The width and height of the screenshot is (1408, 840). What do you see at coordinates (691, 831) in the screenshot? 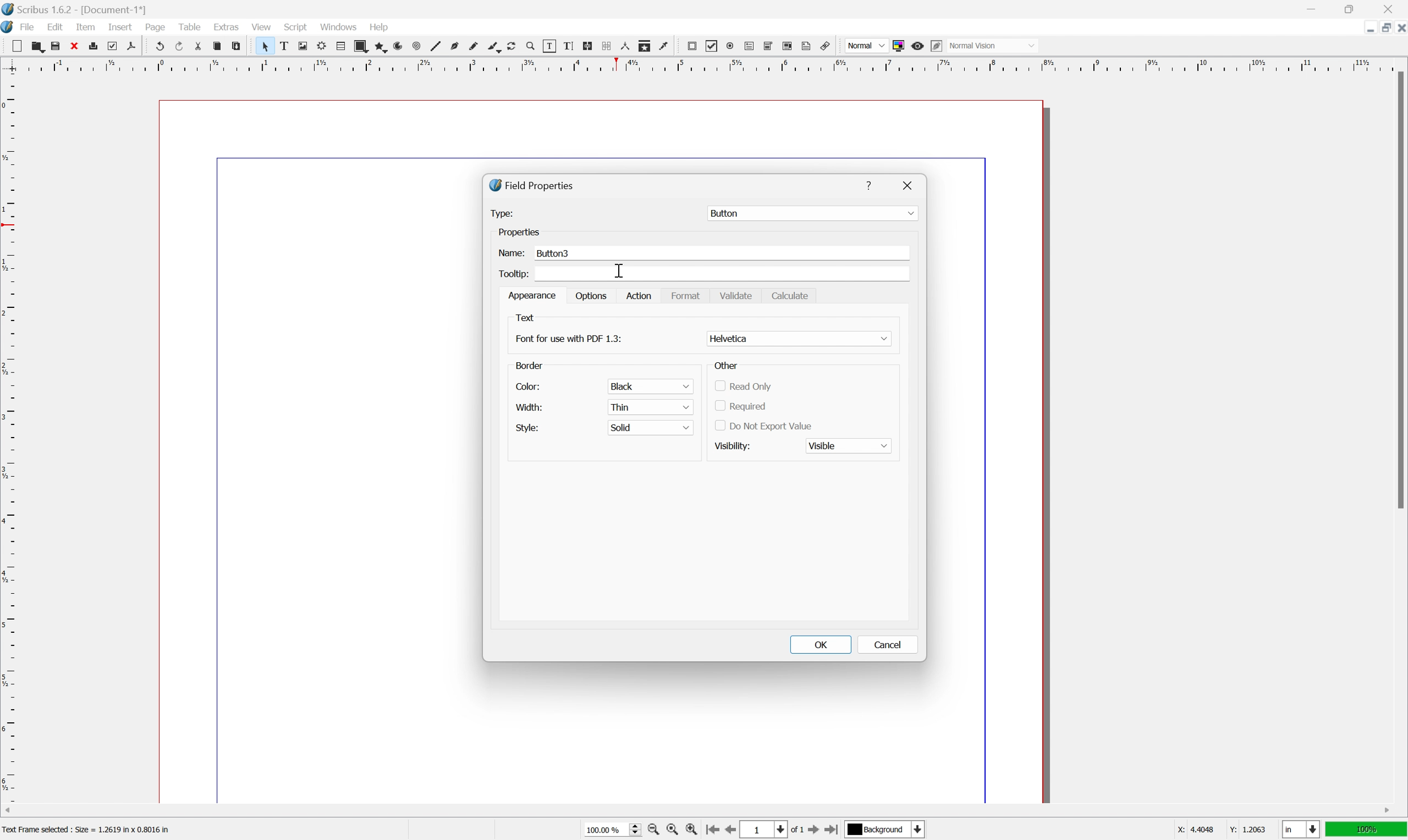
I see `zoom in` at bounding box center [691, 831].